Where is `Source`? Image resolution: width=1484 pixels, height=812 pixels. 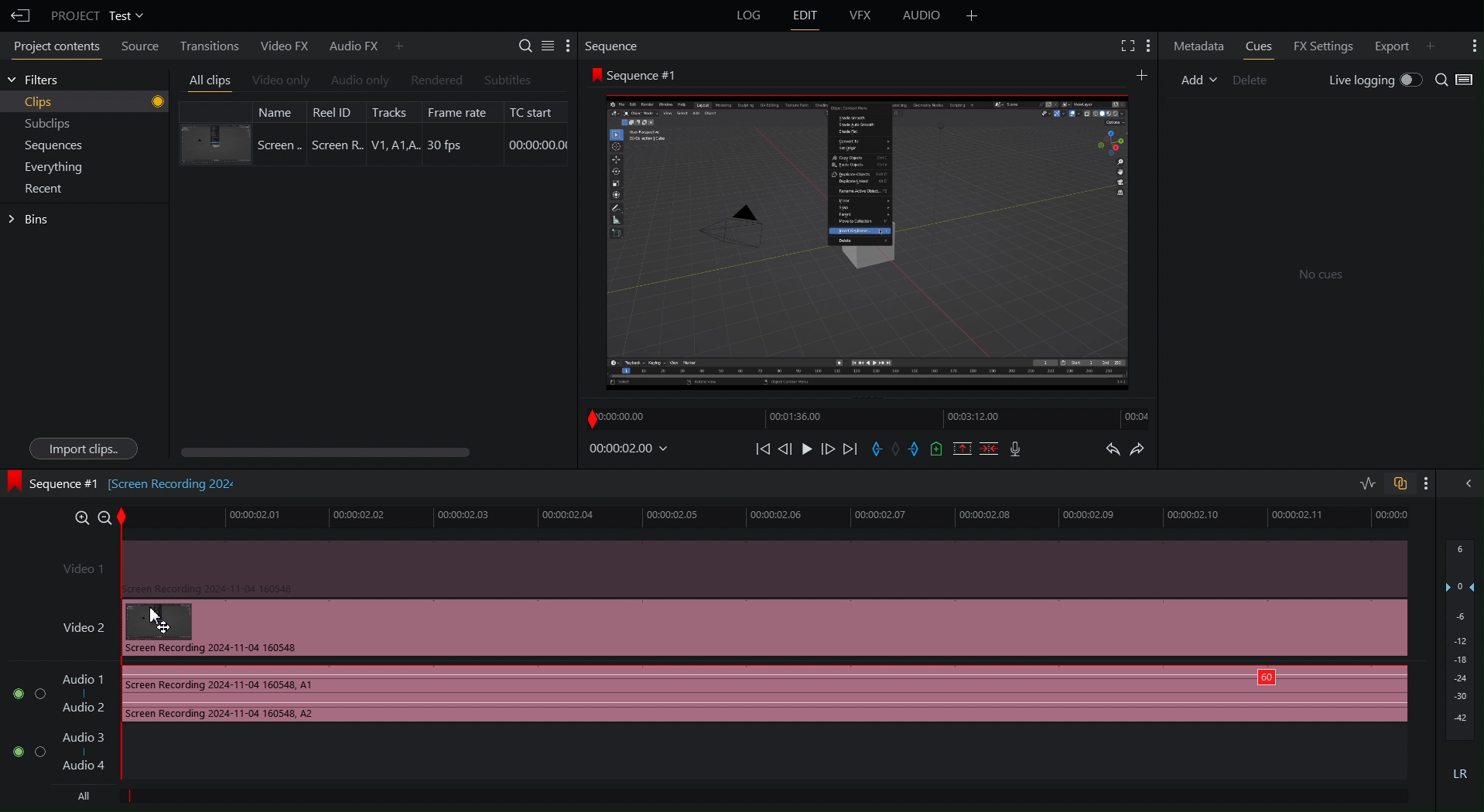 Source is located at coordinates (142, 46).